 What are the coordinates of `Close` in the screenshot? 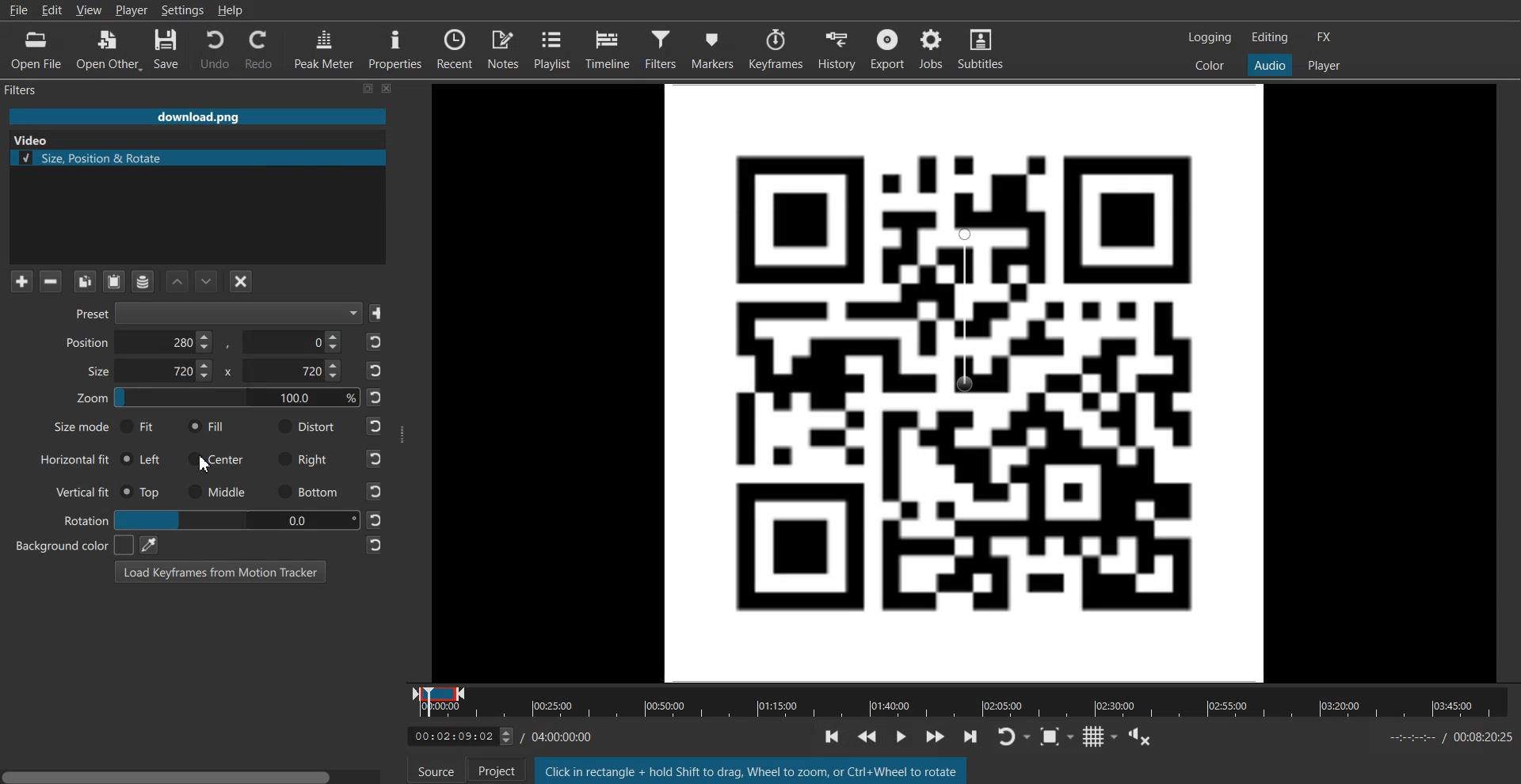 It's located at (388, 89).